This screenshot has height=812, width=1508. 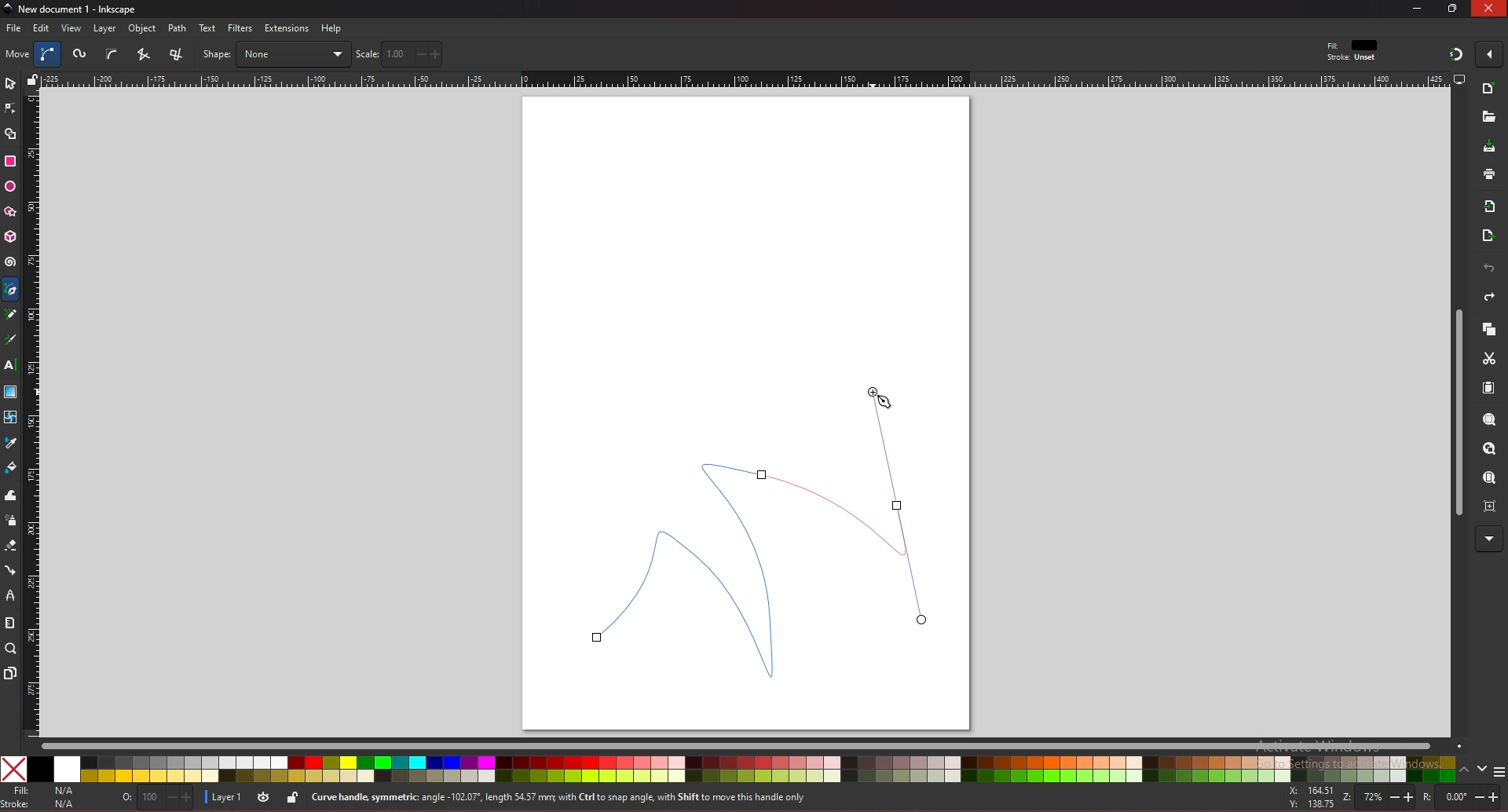 I want to click on bezier curve, so click(x=765, y=532).